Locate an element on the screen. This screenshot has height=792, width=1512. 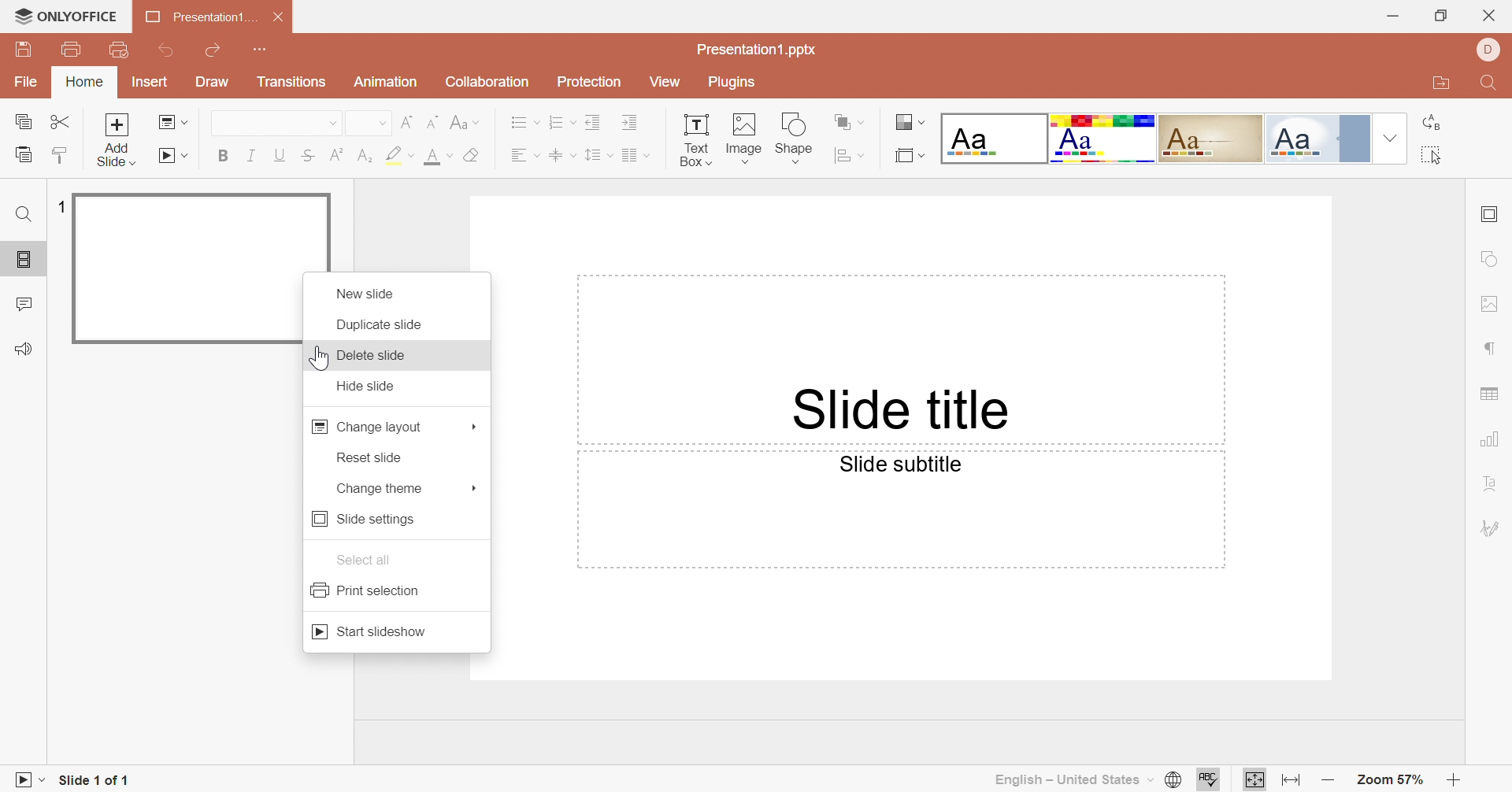
Comments is located at coordinates (22, 304).